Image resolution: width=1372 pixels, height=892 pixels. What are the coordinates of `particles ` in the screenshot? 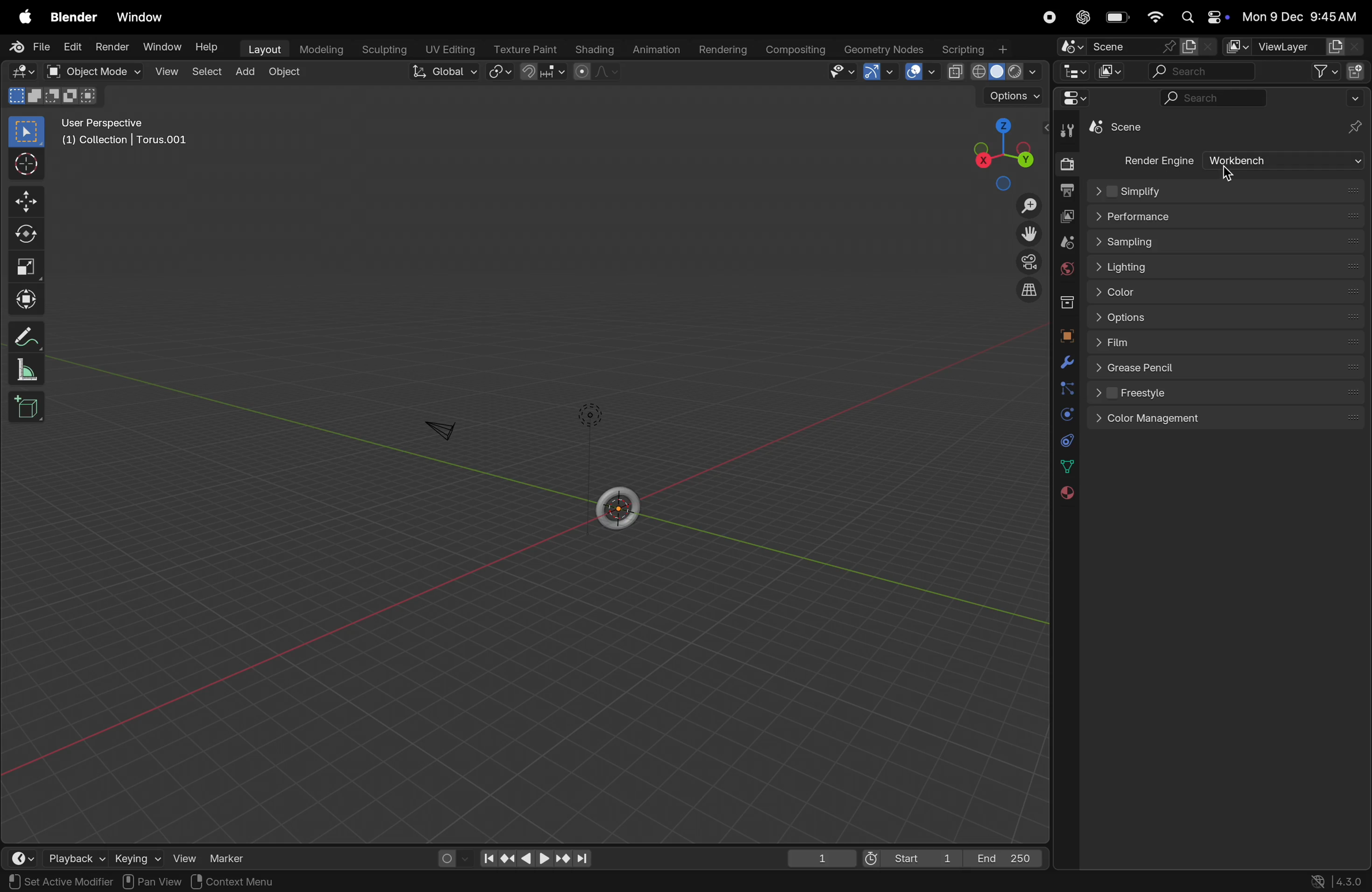 It's located at (1063, 390).